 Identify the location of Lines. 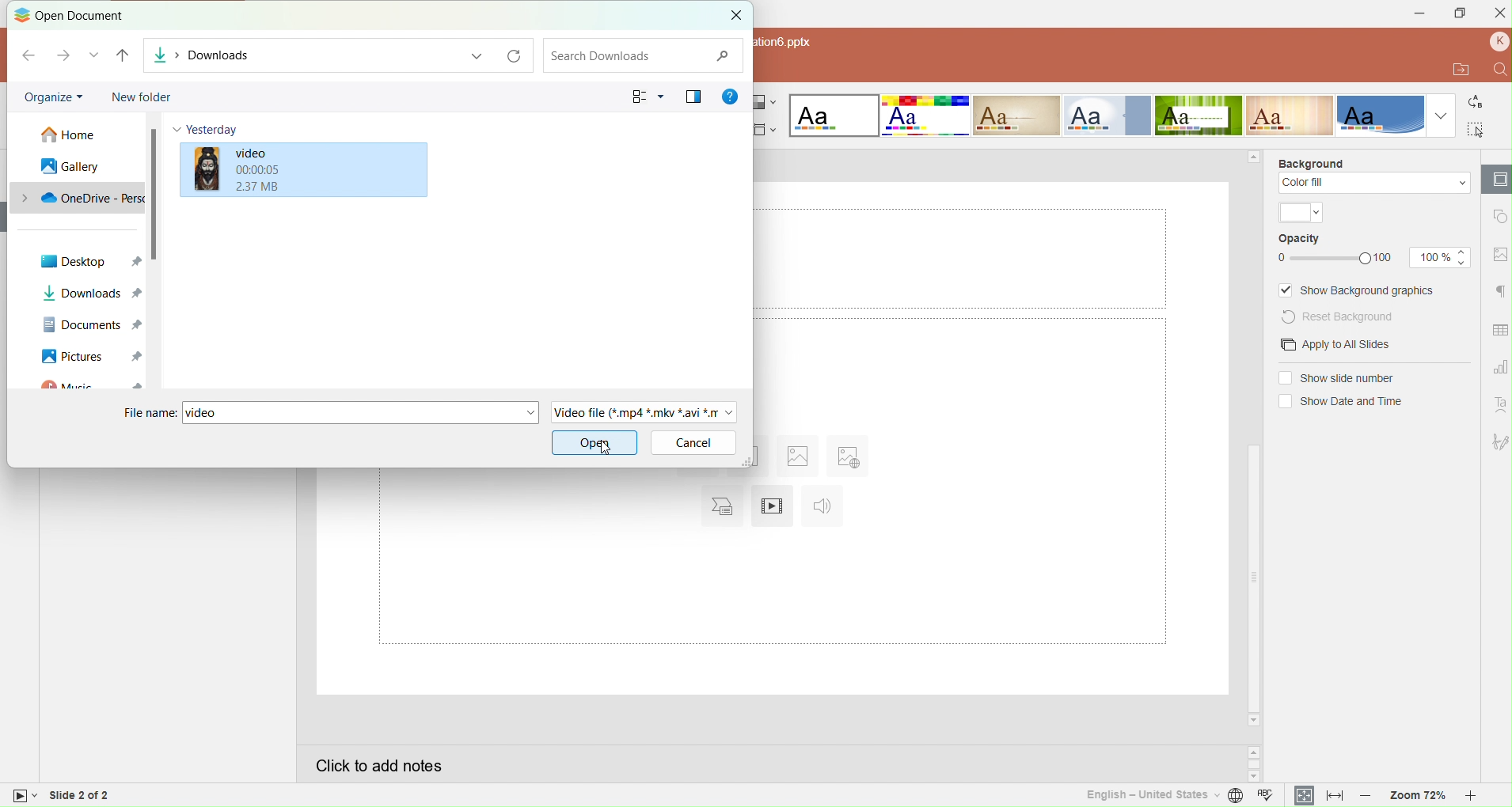
(1290, 116).